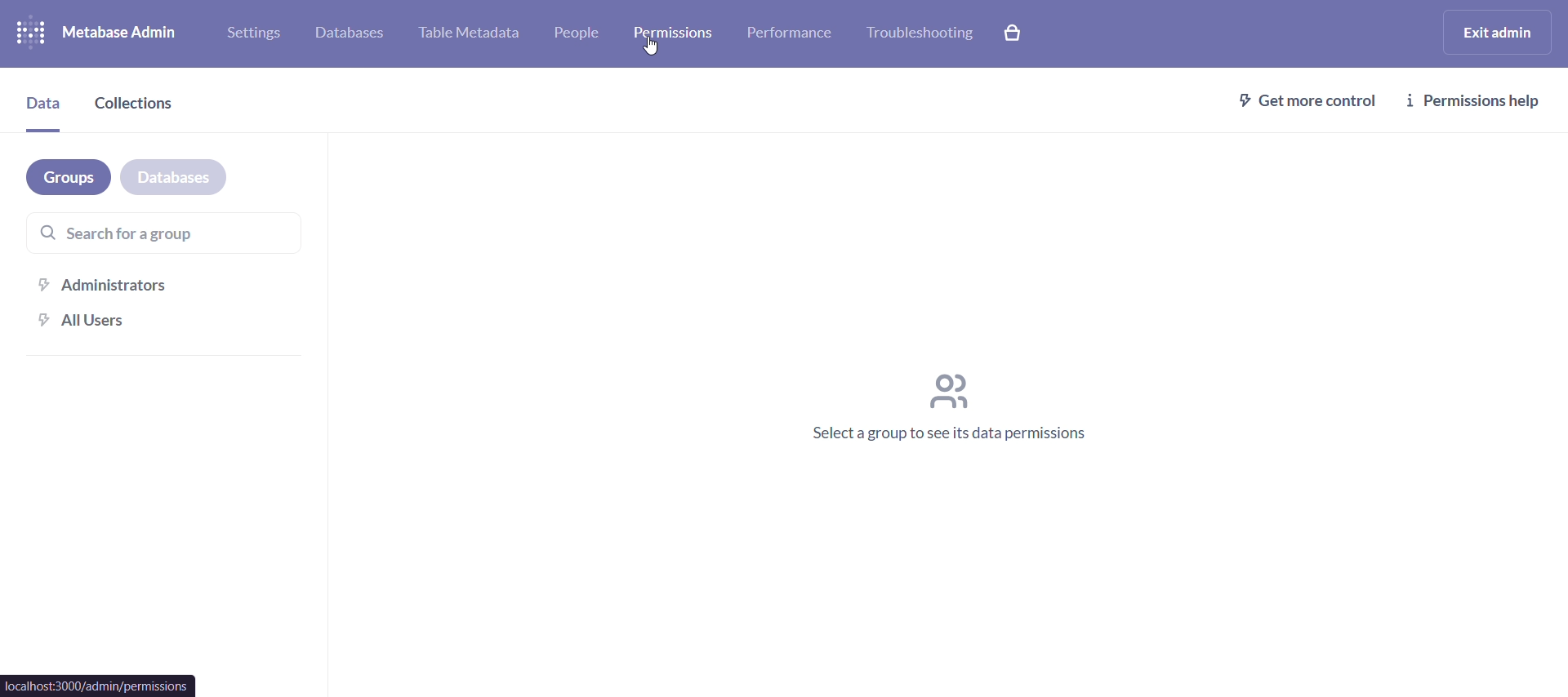  What do you see at coordinates (792, 37) in the screenshot?
I see `Performance` at bounding box center [792, 37].